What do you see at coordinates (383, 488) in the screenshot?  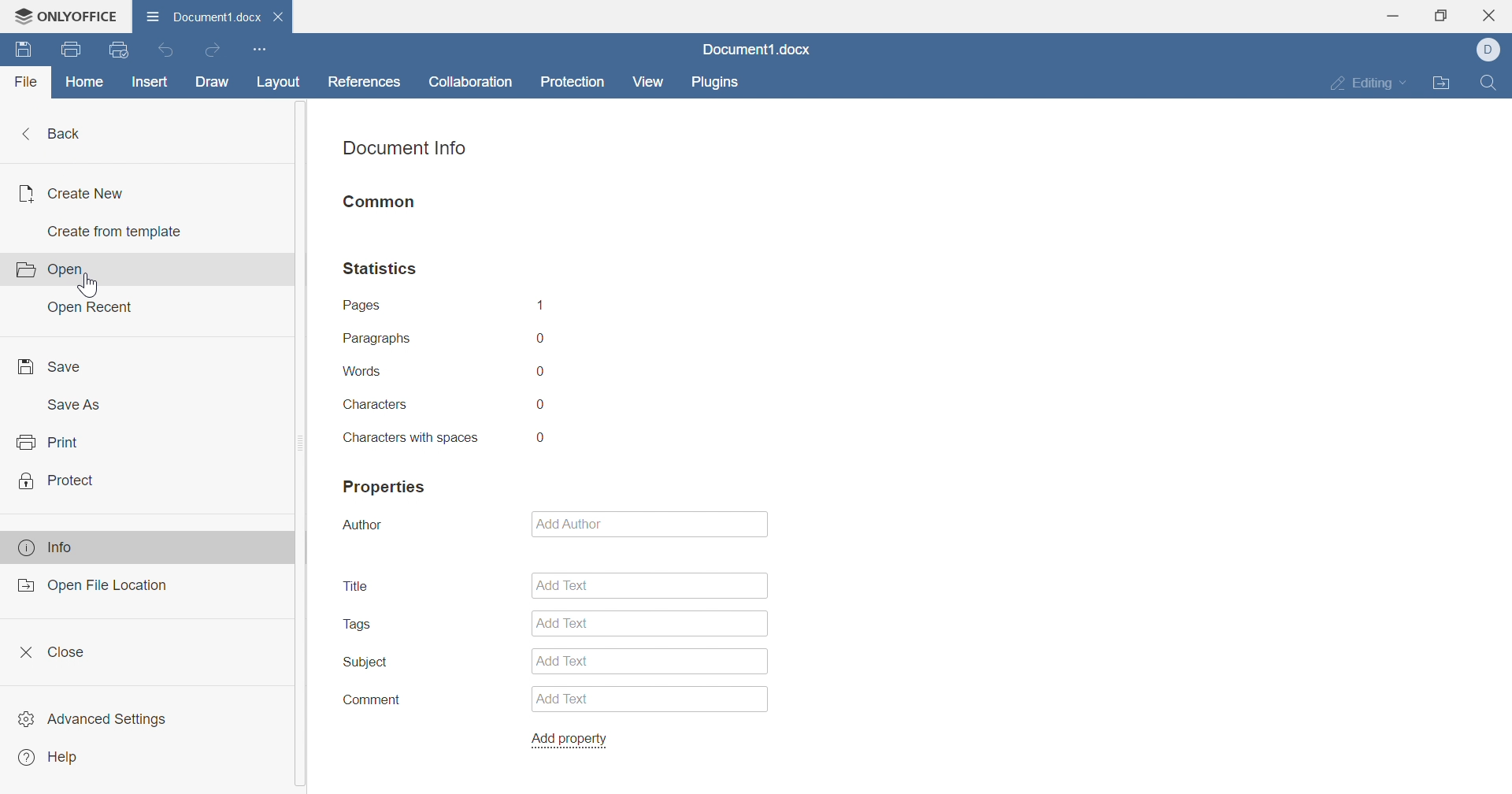 I see `properties` at bounding box center [383, 488].